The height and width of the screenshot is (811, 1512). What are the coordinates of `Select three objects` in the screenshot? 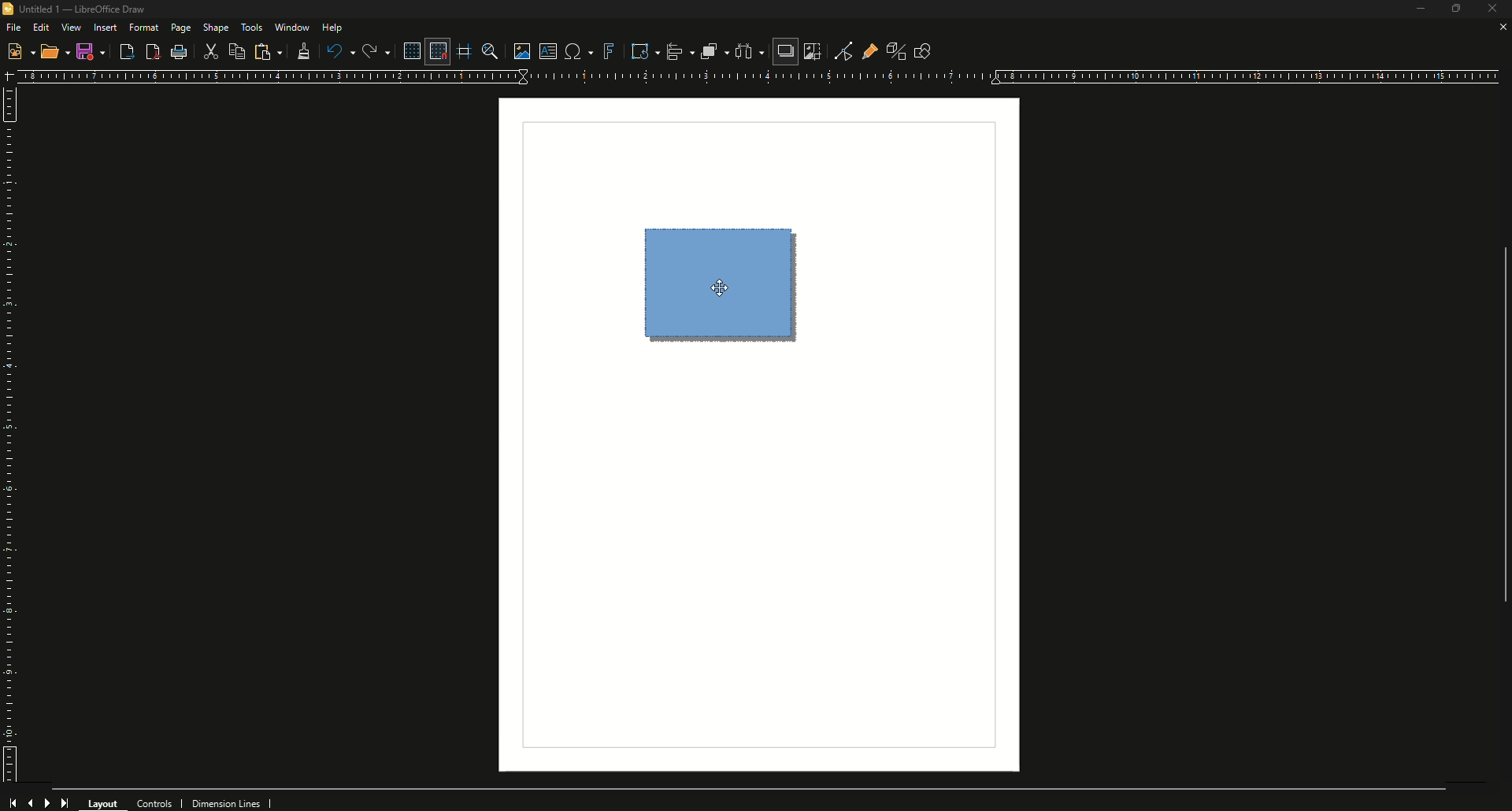 It's located at (749, 52).